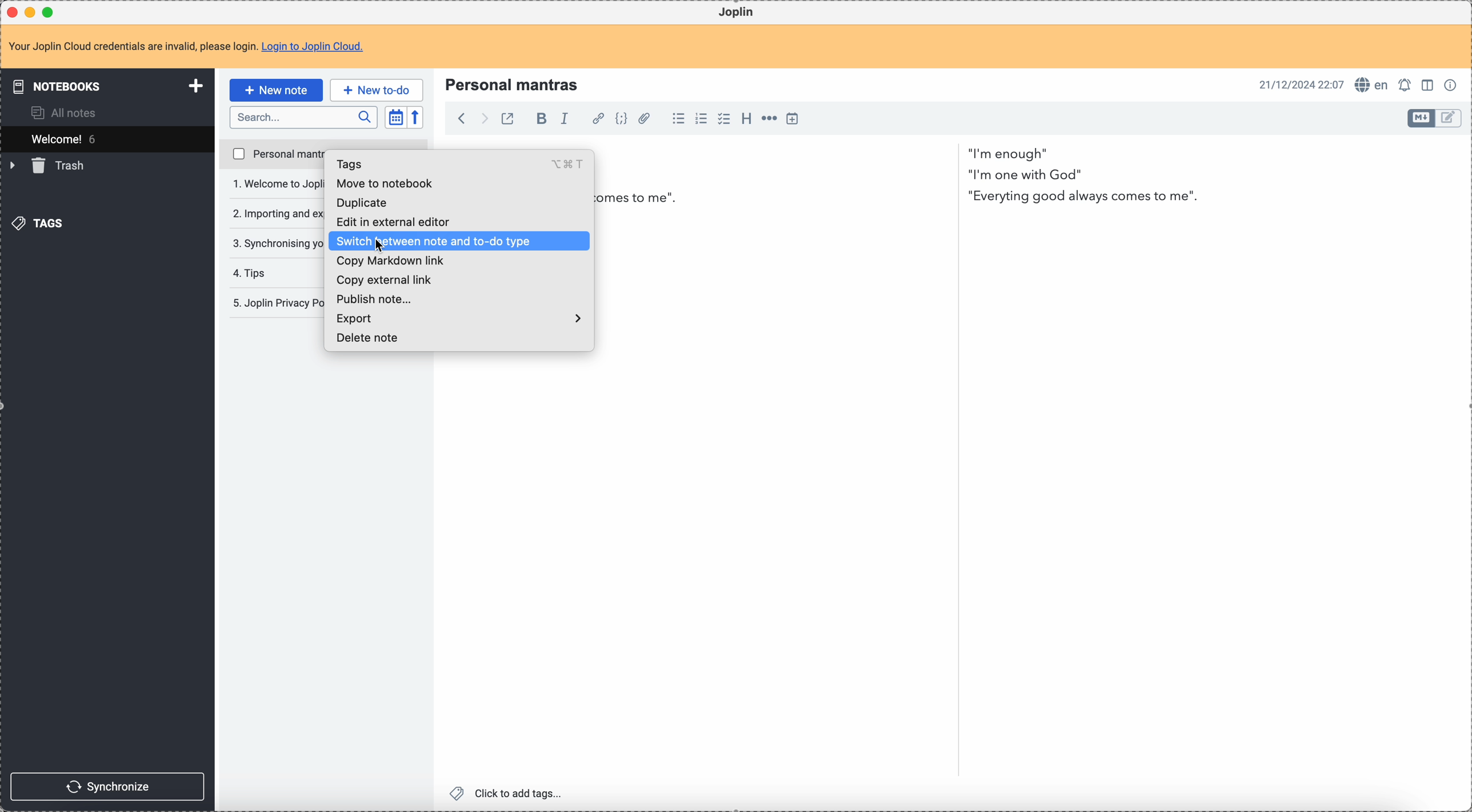 The height and width of the screenshot is (812, 1472). Describe the element at coordinates (509, 120) in the screenshot. I see `toggle external editing` at that location.